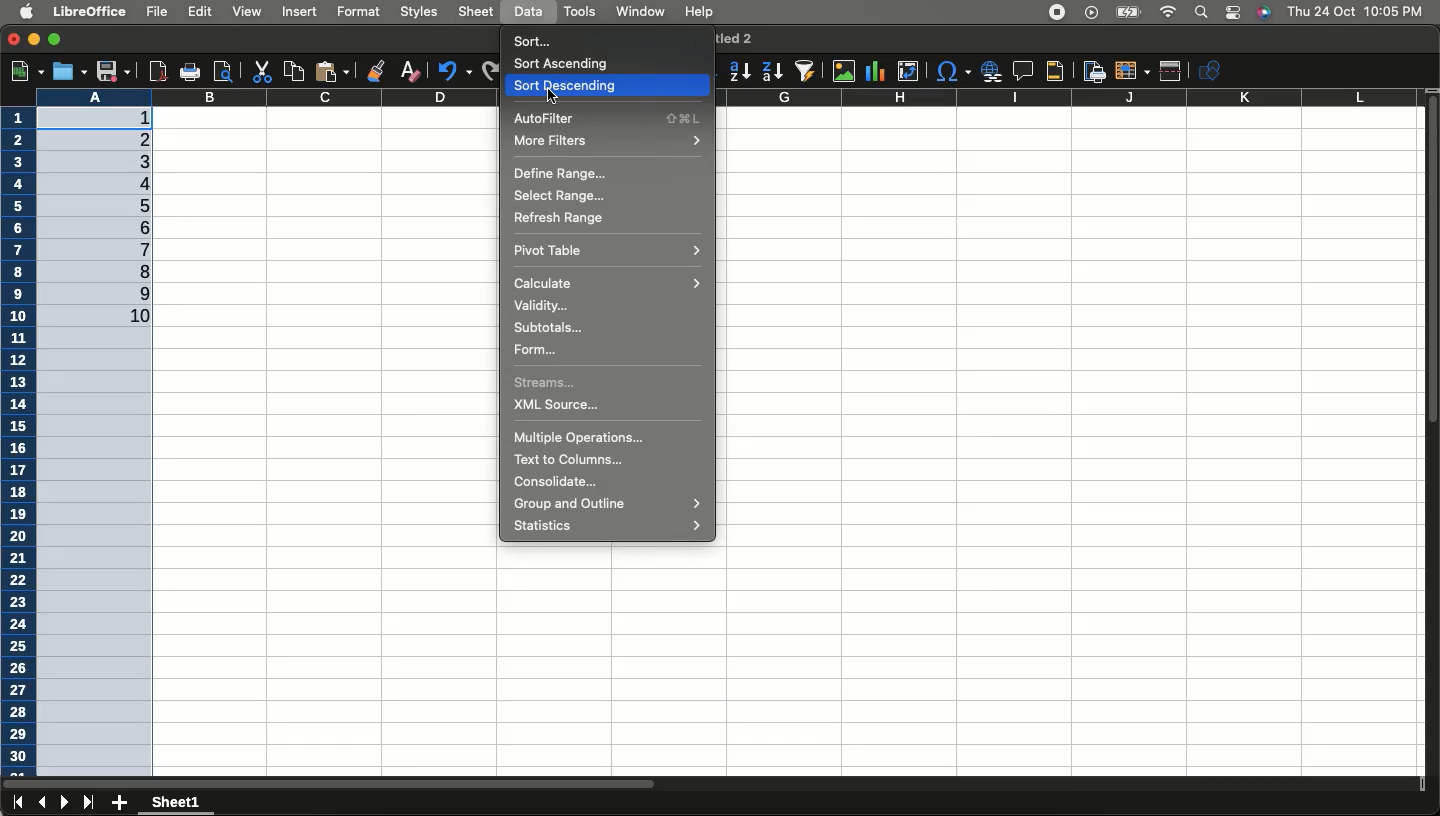  What do you see at coordinates (536, 40) in the screenshot?
I see `Sort...` at bounding box center [536, 40].